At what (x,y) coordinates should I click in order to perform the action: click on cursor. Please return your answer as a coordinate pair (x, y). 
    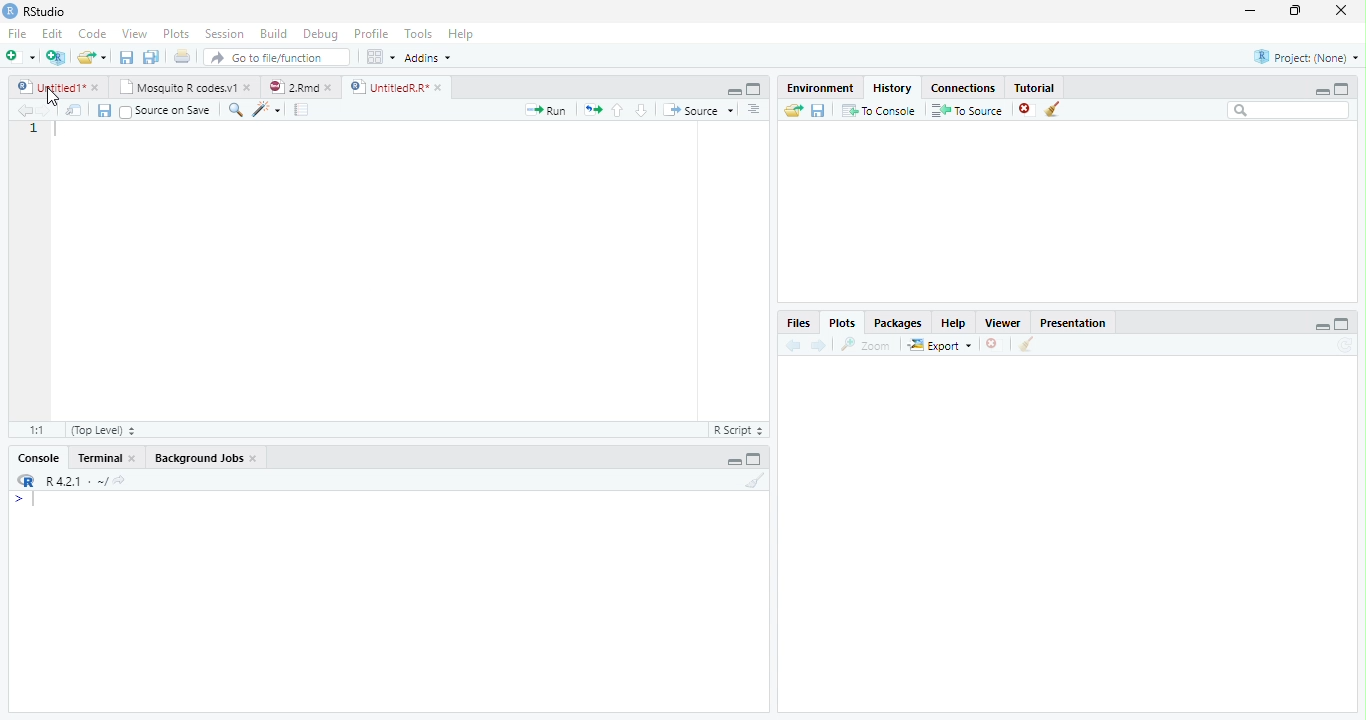
    Looking at the image, I should click on (51, 96).